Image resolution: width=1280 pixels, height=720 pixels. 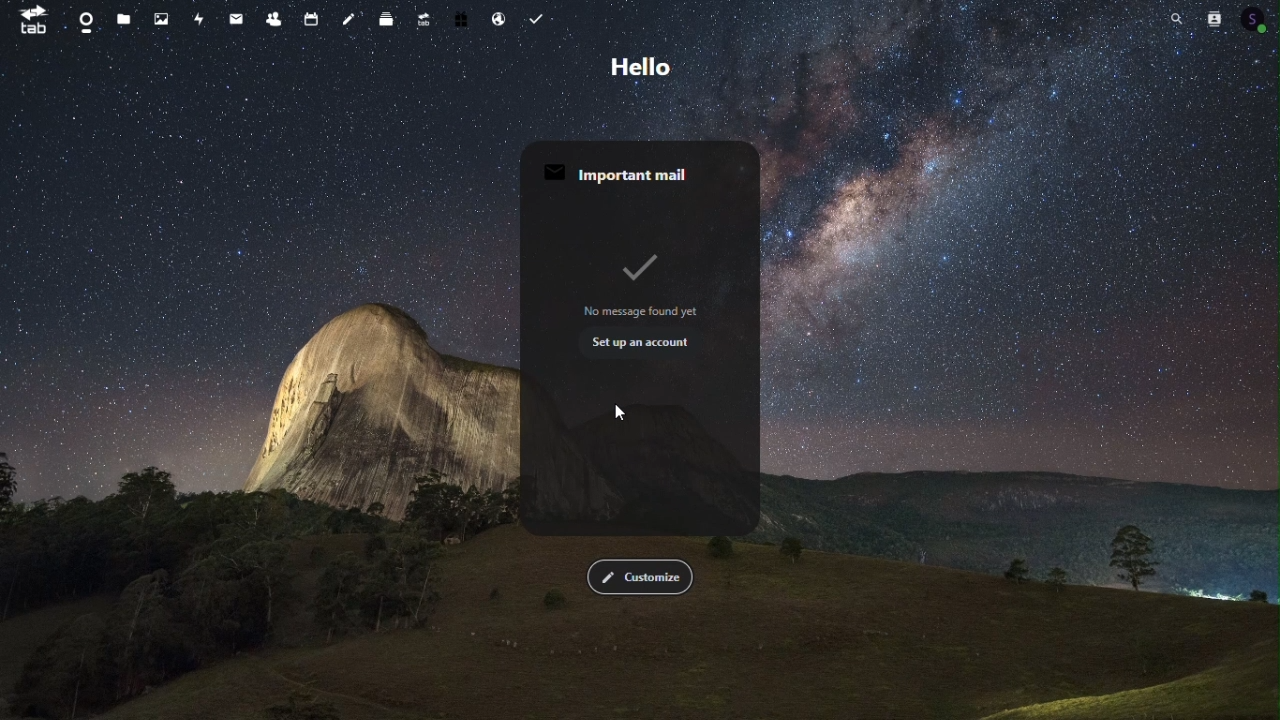 I want to click on Contacts, so click(x=1218, y=16).